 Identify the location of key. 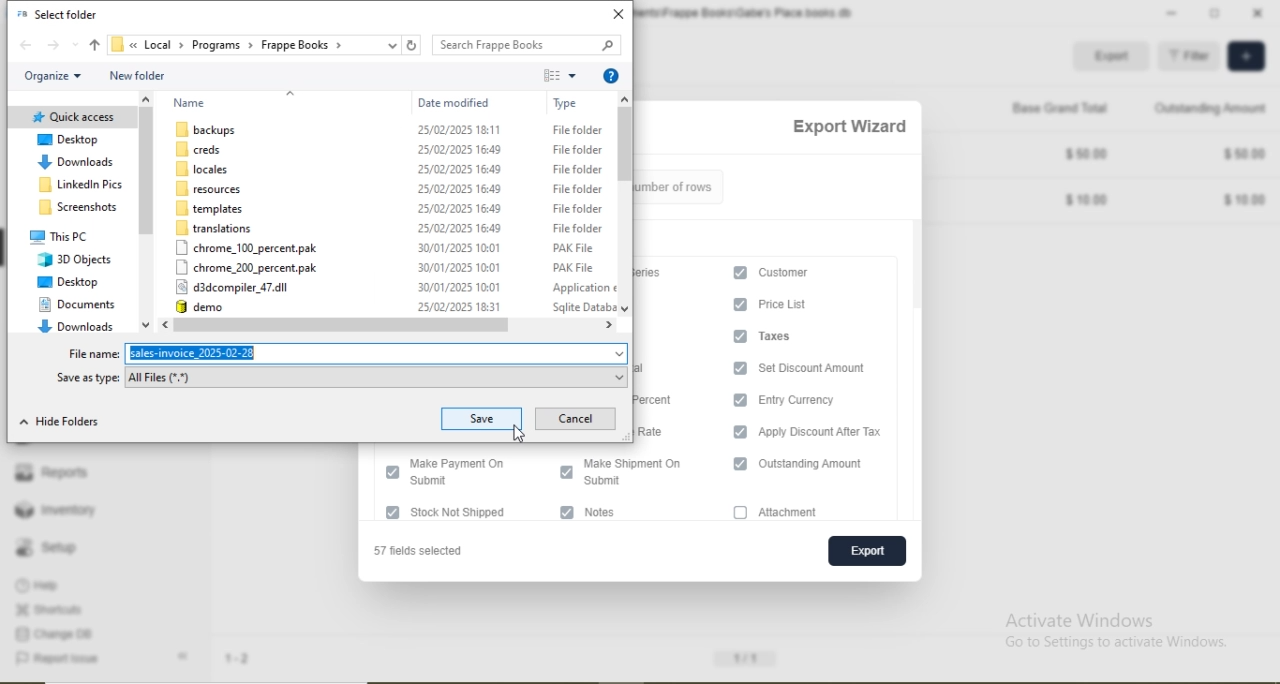
(598, 45).